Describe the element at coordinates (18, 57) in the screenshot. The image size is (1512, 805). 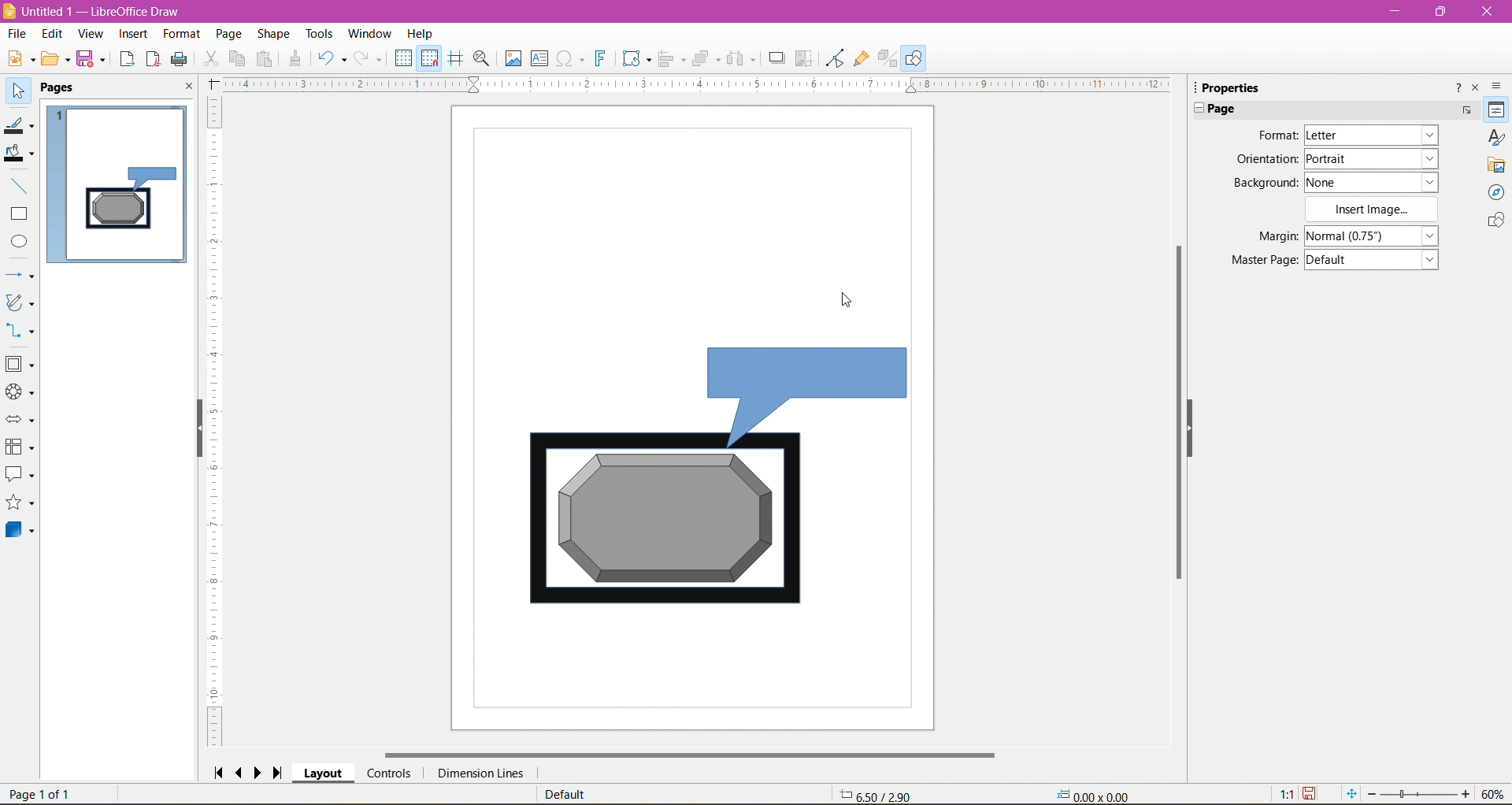
I see `New` at that location.